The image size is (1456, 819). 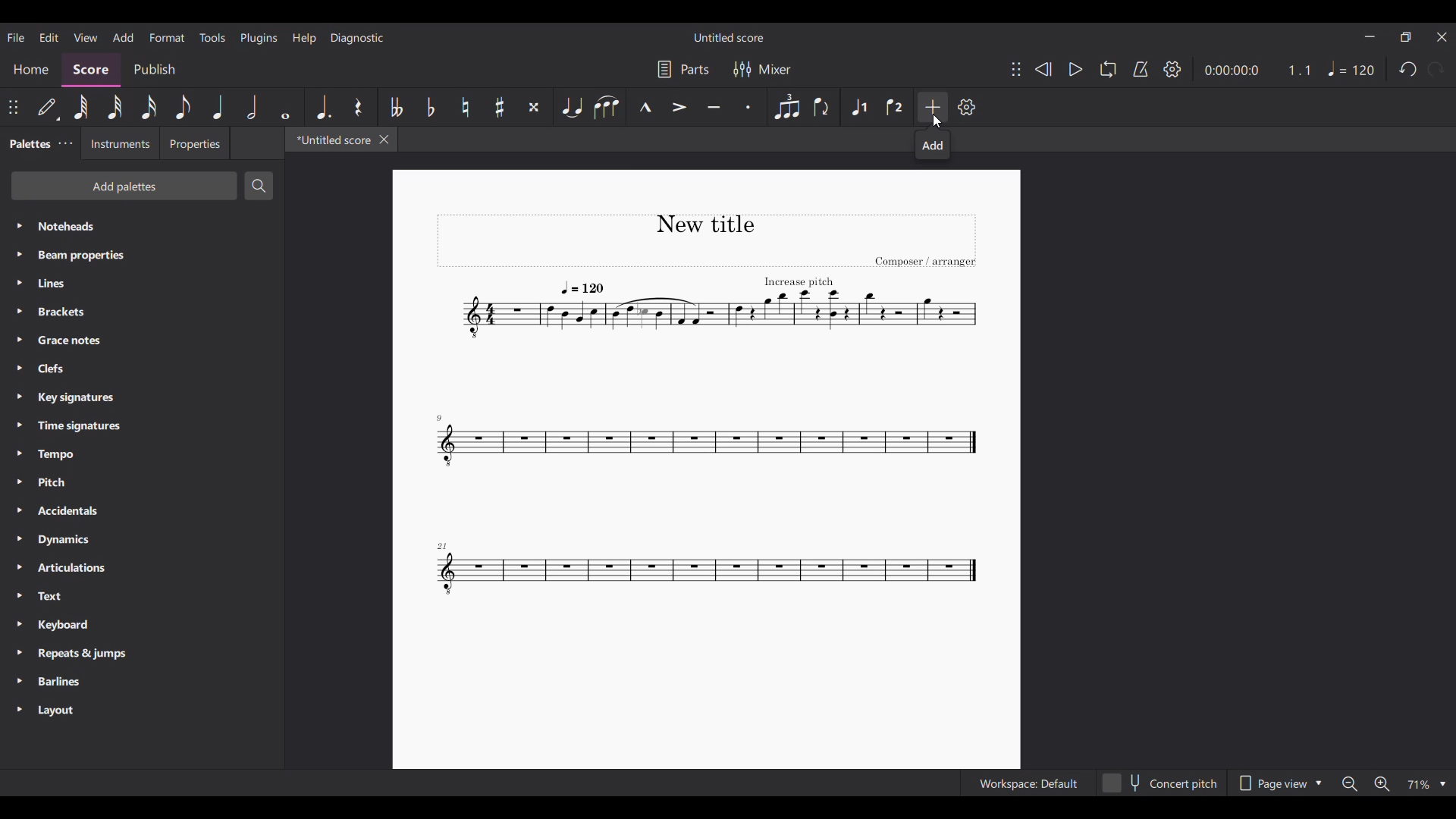 What do you see at coordinates (1426, 783) in the screenshot?
I see `Zoom options` at bounding box center [1426, 783].